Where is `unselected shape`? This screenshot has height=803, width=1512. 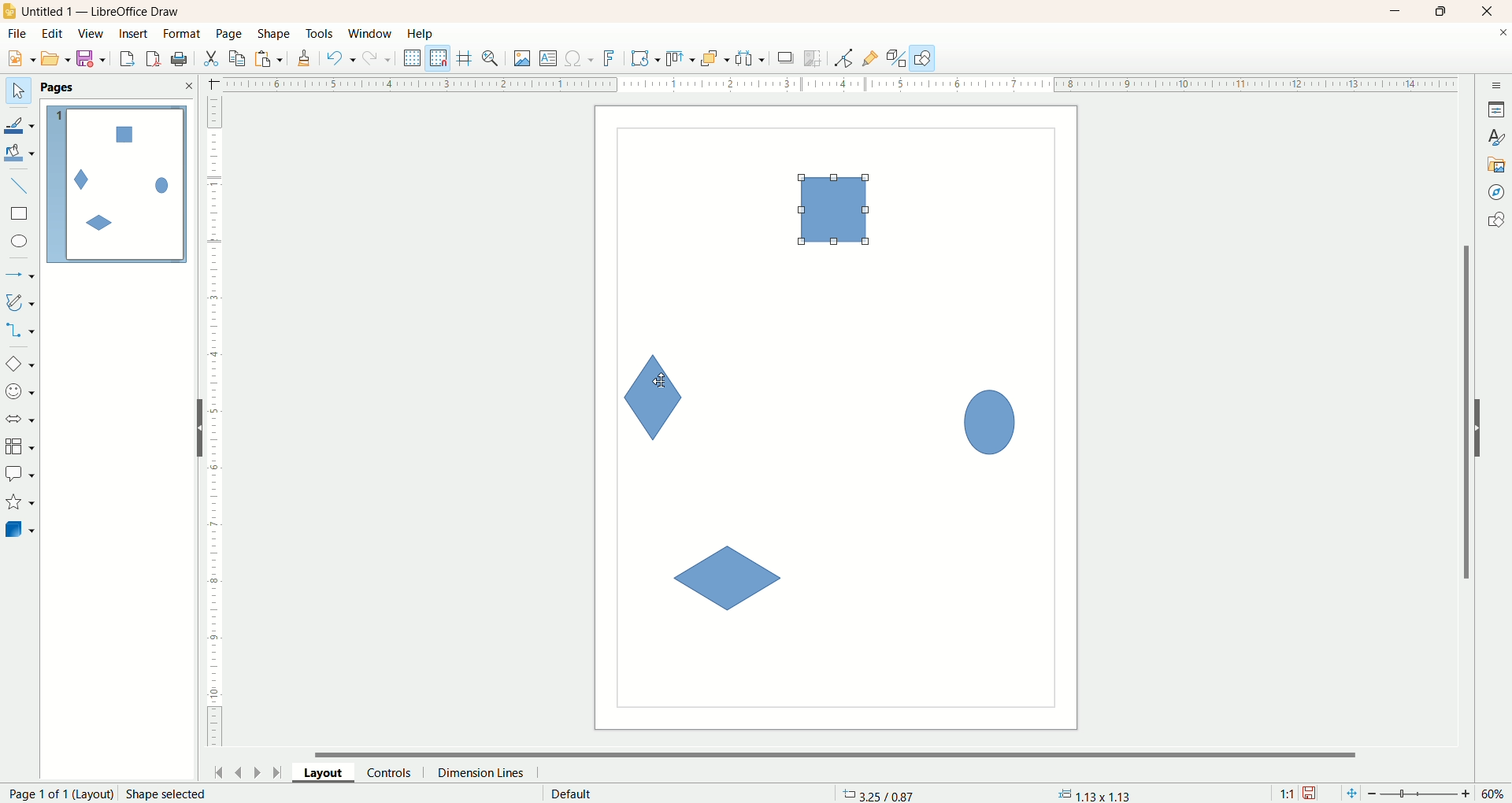
unselected shape is located at coordinates (832, 210).